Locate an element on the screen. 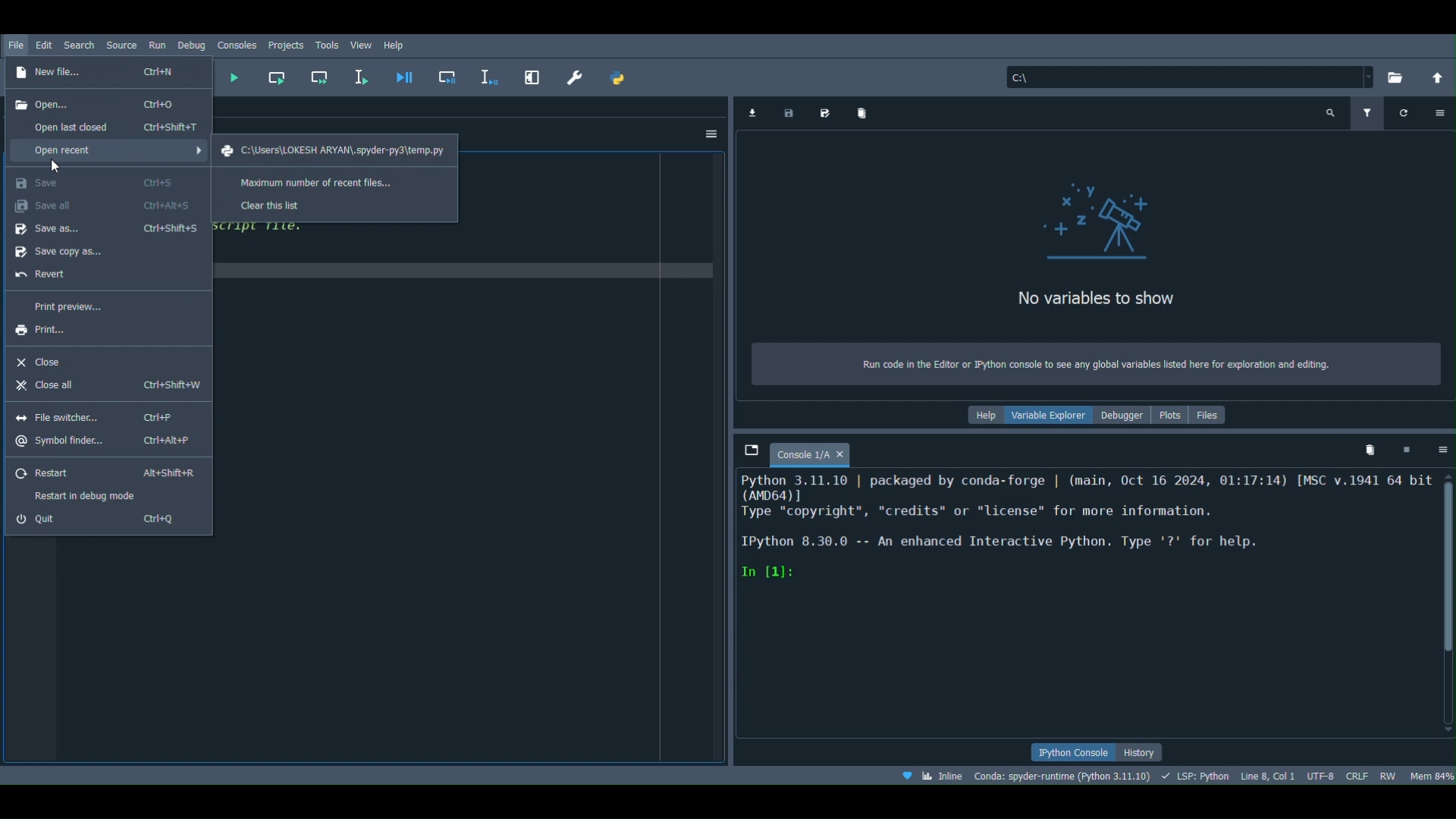 The image size is (1456, 819). Search is located at coordinates (80, 44).